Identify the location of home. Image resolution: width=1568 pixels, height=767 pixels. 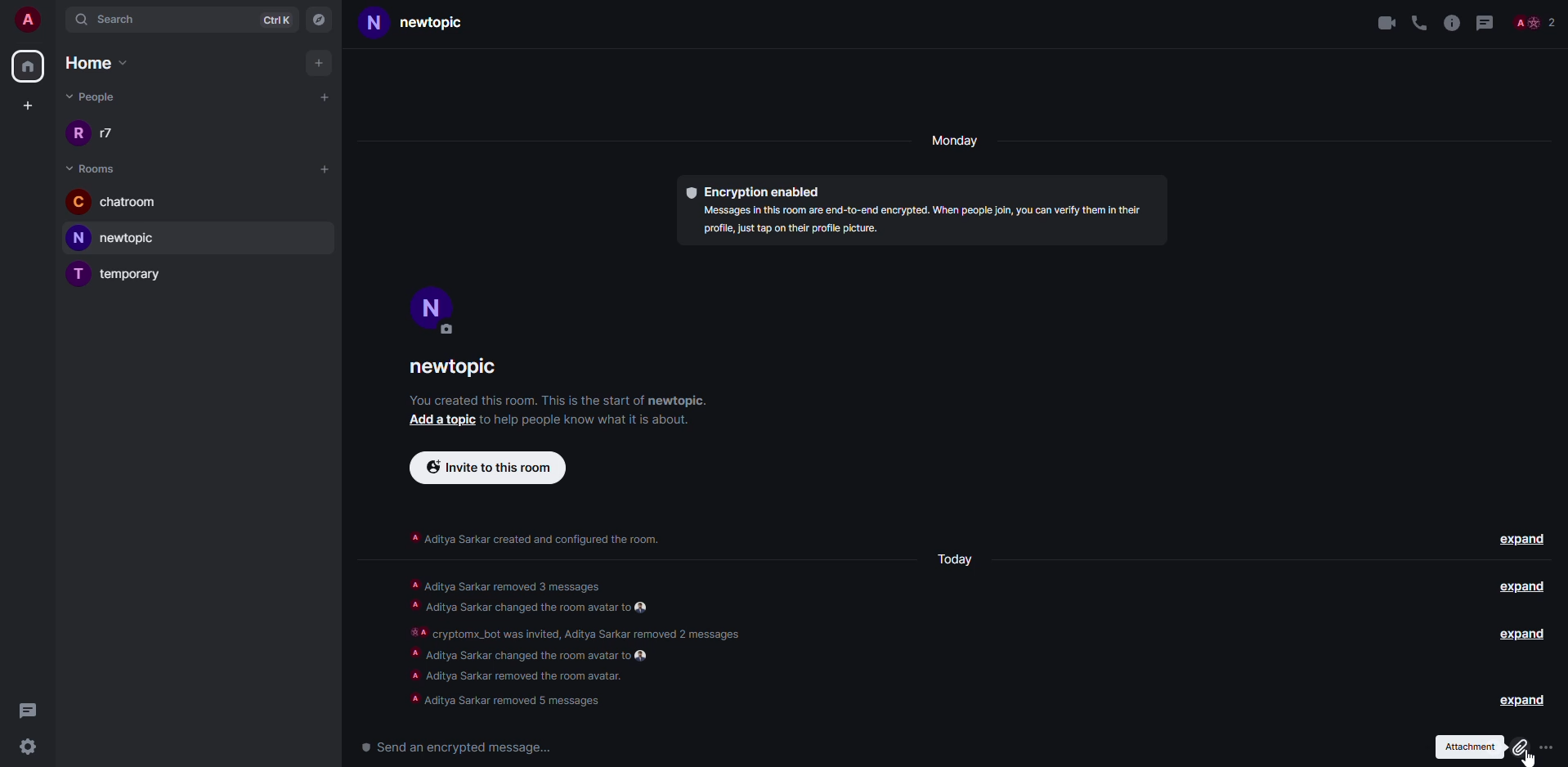
(29, 66).